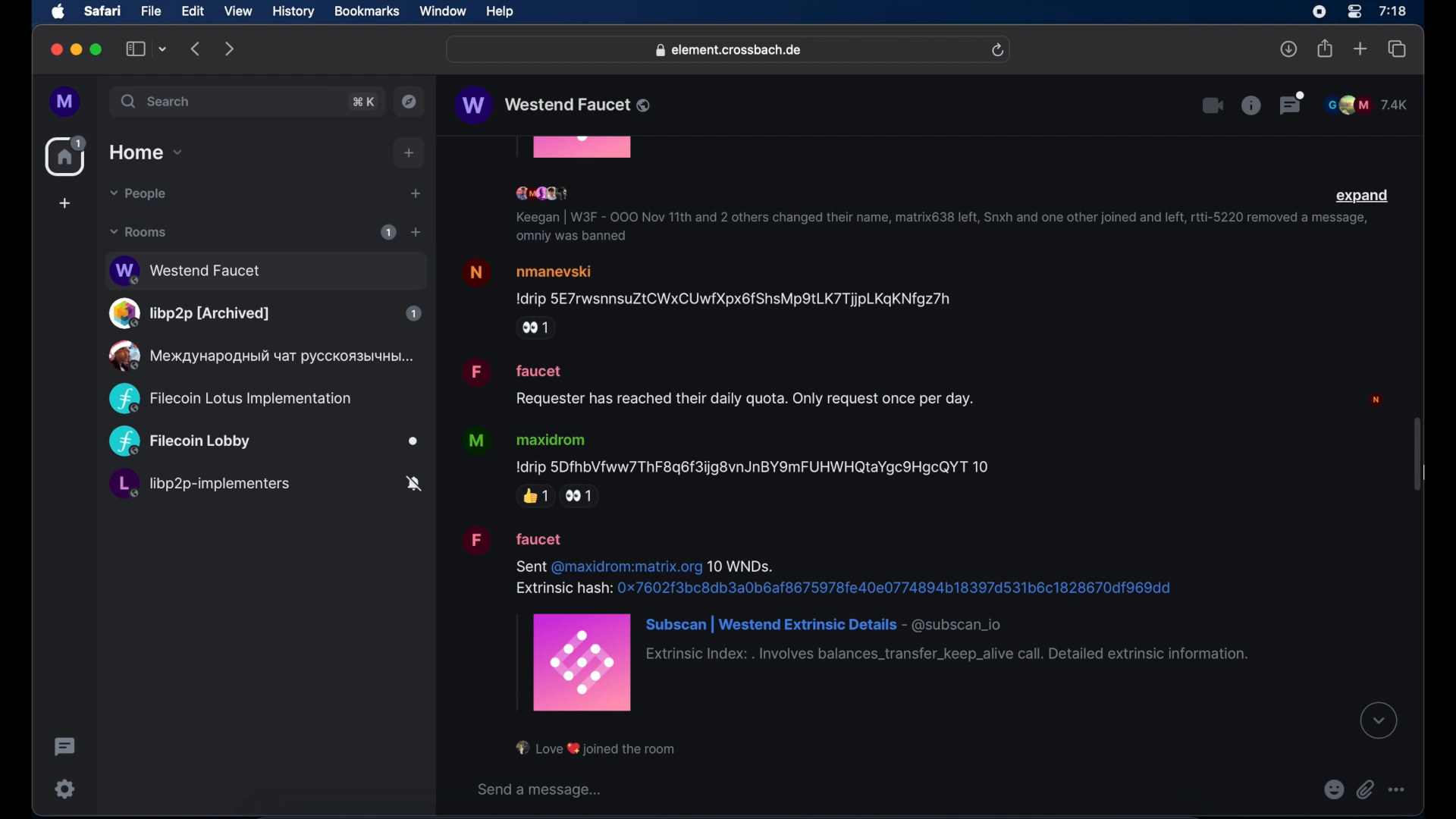  What do you see at coordinates (416, 232) in the screenshot?
I see `add room` at bounding box center [416, 232].